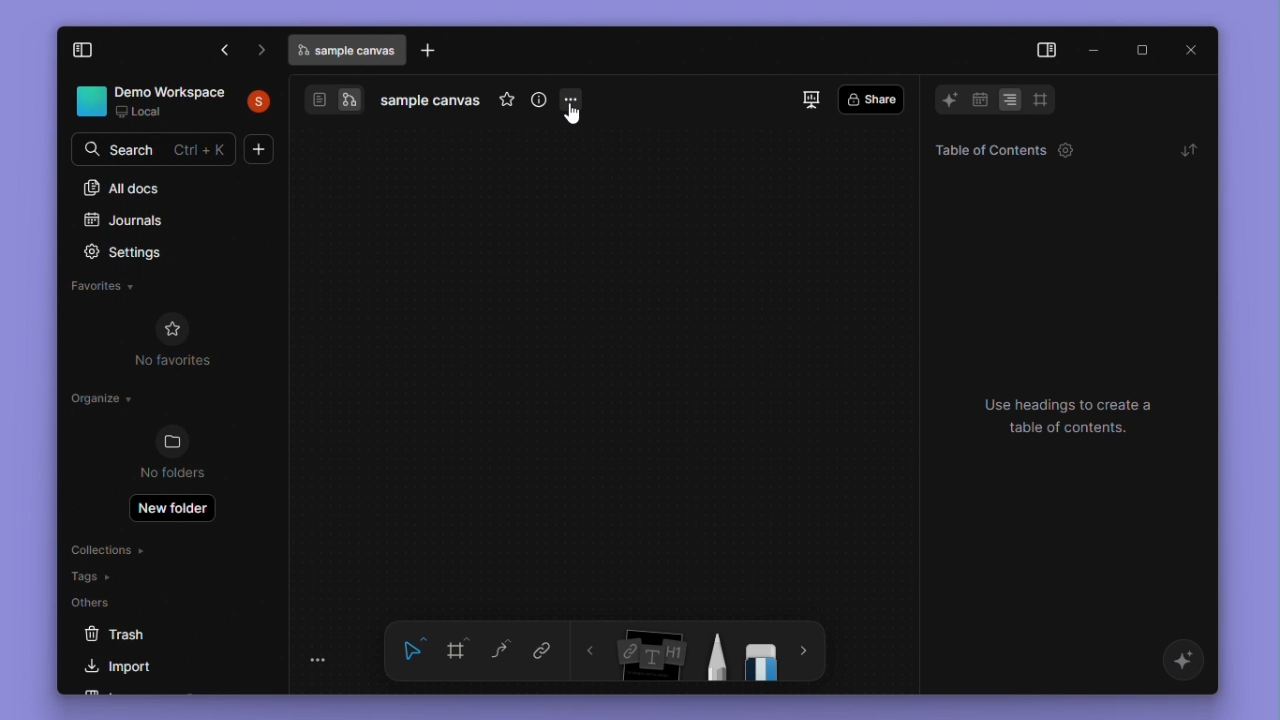 The image size is (1280, 720). Describe the element at coordinates (431, 51) in the screenshot. I see `new tab` at that location.